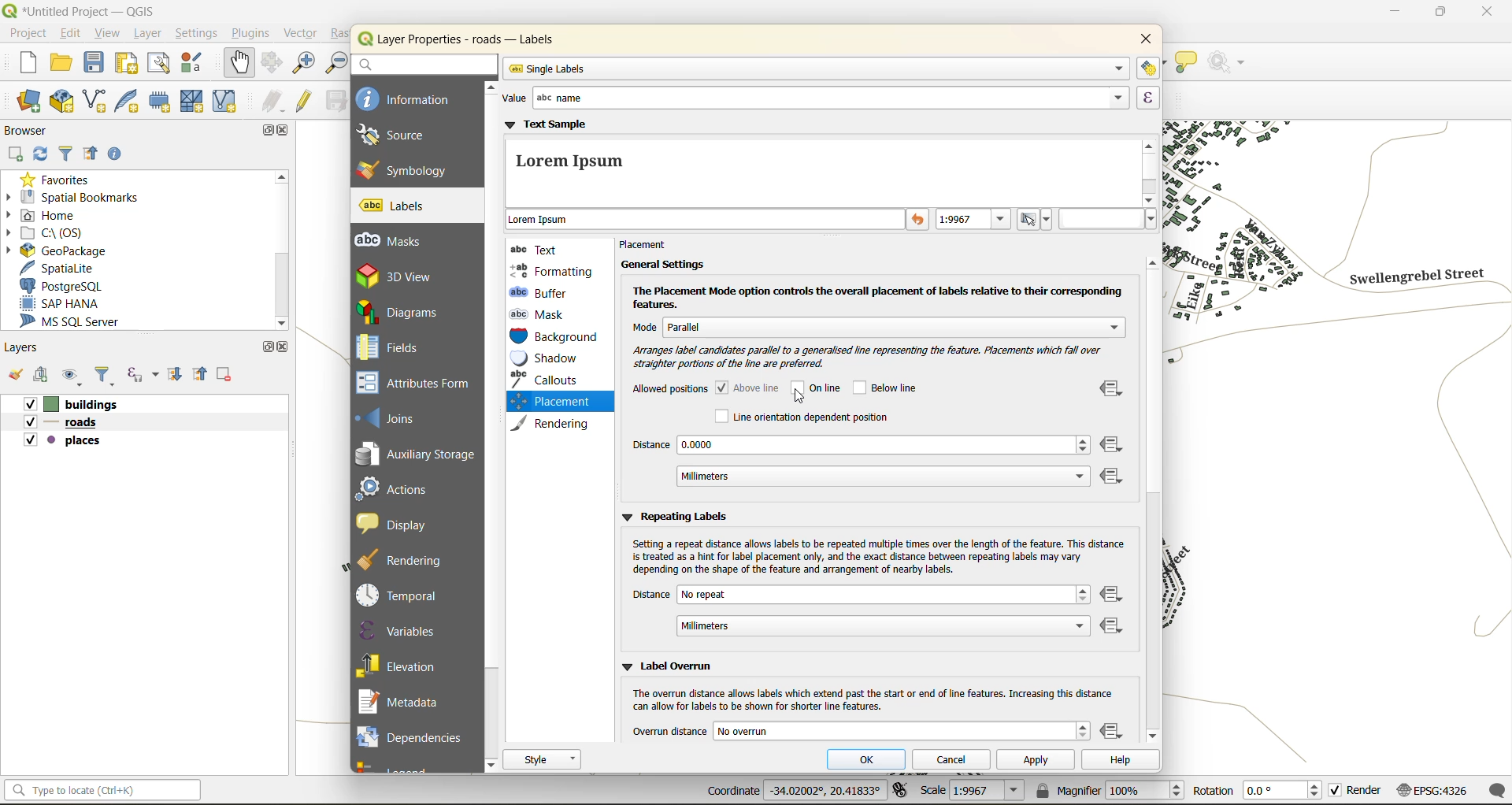 This screenshot has height=805, width=1512. I want to click on ms sql server, so click(73, 322).